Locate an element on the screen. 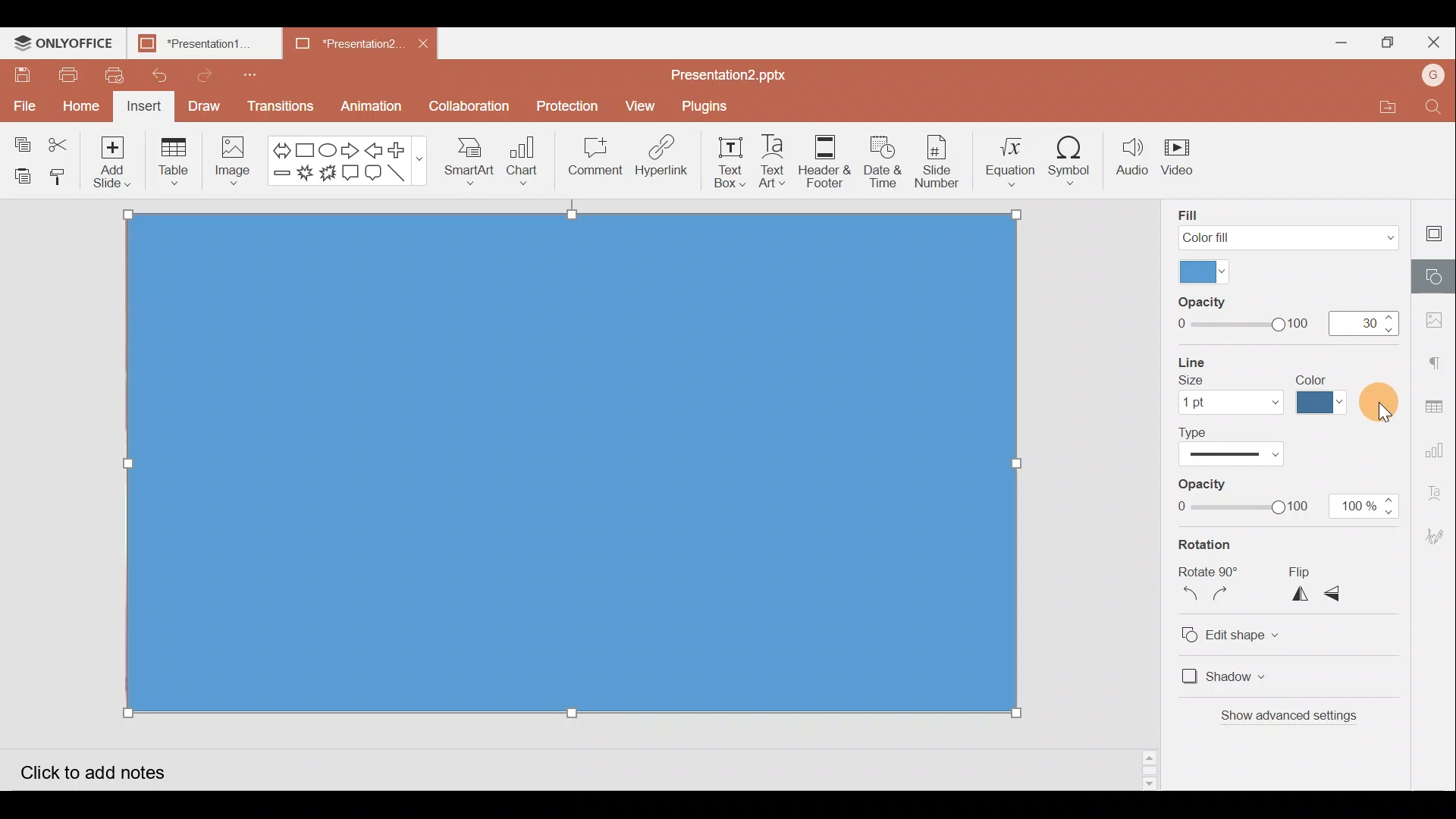 The image size is (1456, 819). Explosion 1 is located at coordinates (305, 177).